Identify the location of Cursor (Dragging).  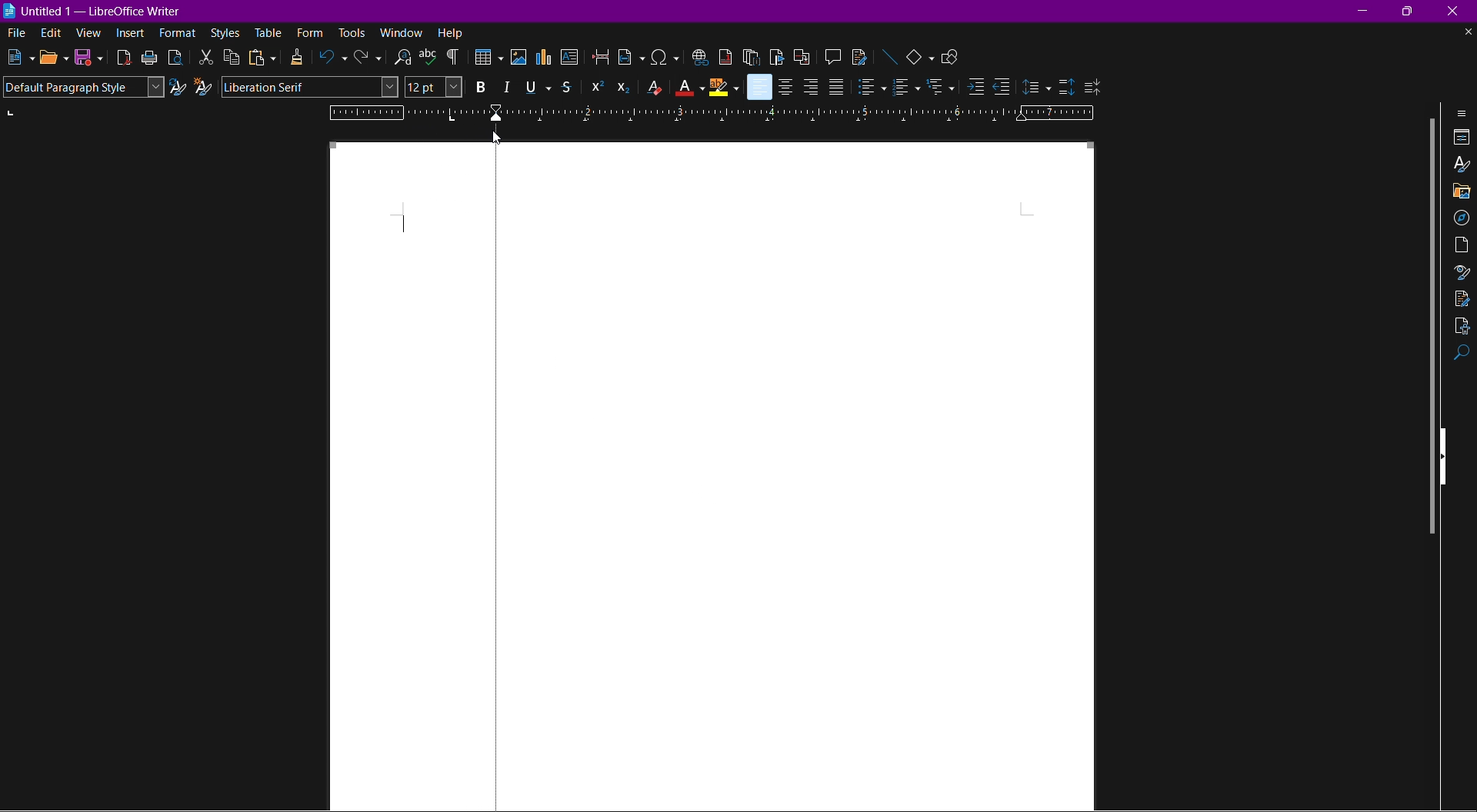
(499, 138).